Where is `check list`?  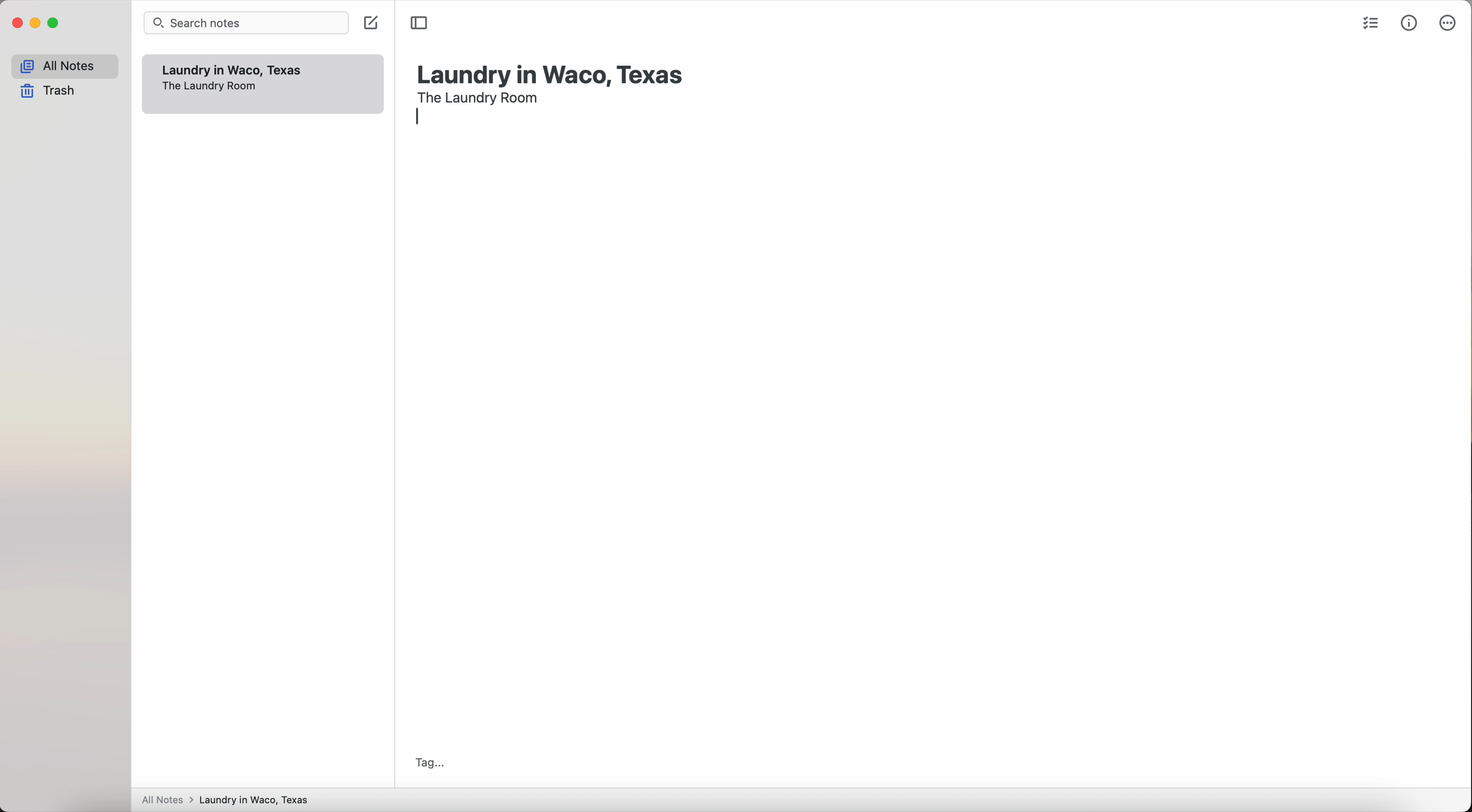 check list is located at coordinates (1368, 25).